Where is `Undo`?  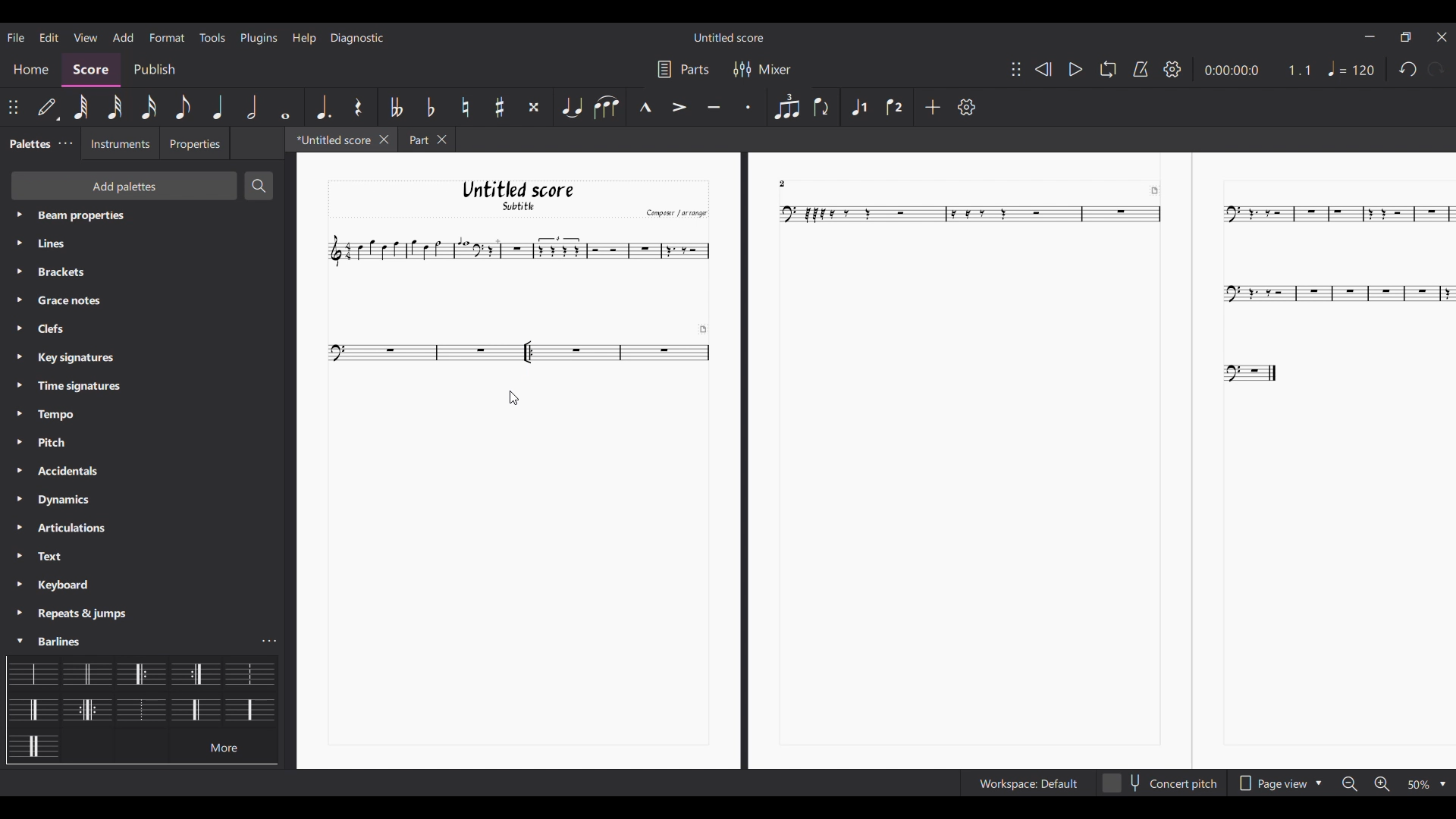 Undo is located at coordinates (1407, 69).